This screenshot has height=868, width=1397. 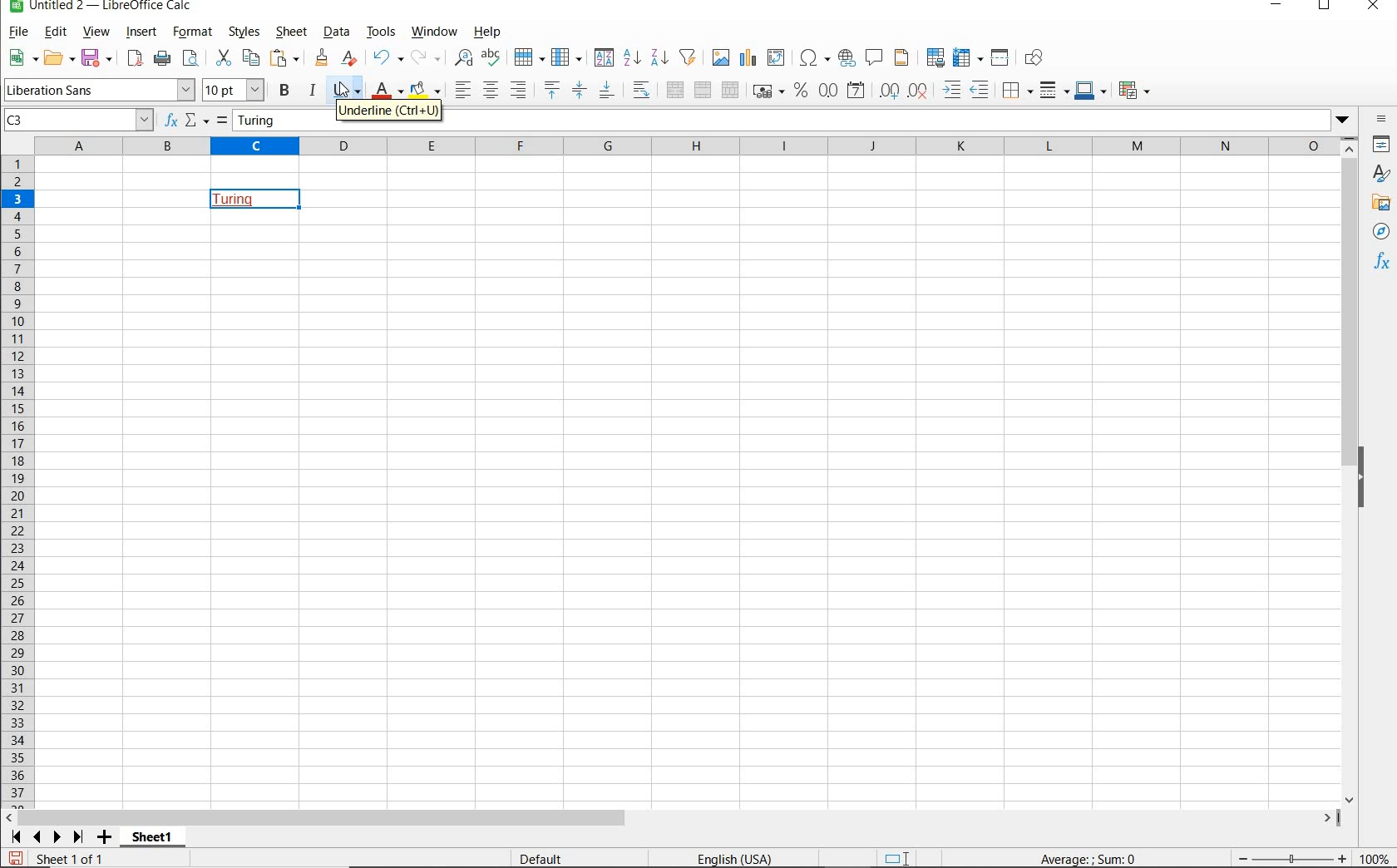 I want to click on INSERT IMAGE, so click(x=722, y=57).